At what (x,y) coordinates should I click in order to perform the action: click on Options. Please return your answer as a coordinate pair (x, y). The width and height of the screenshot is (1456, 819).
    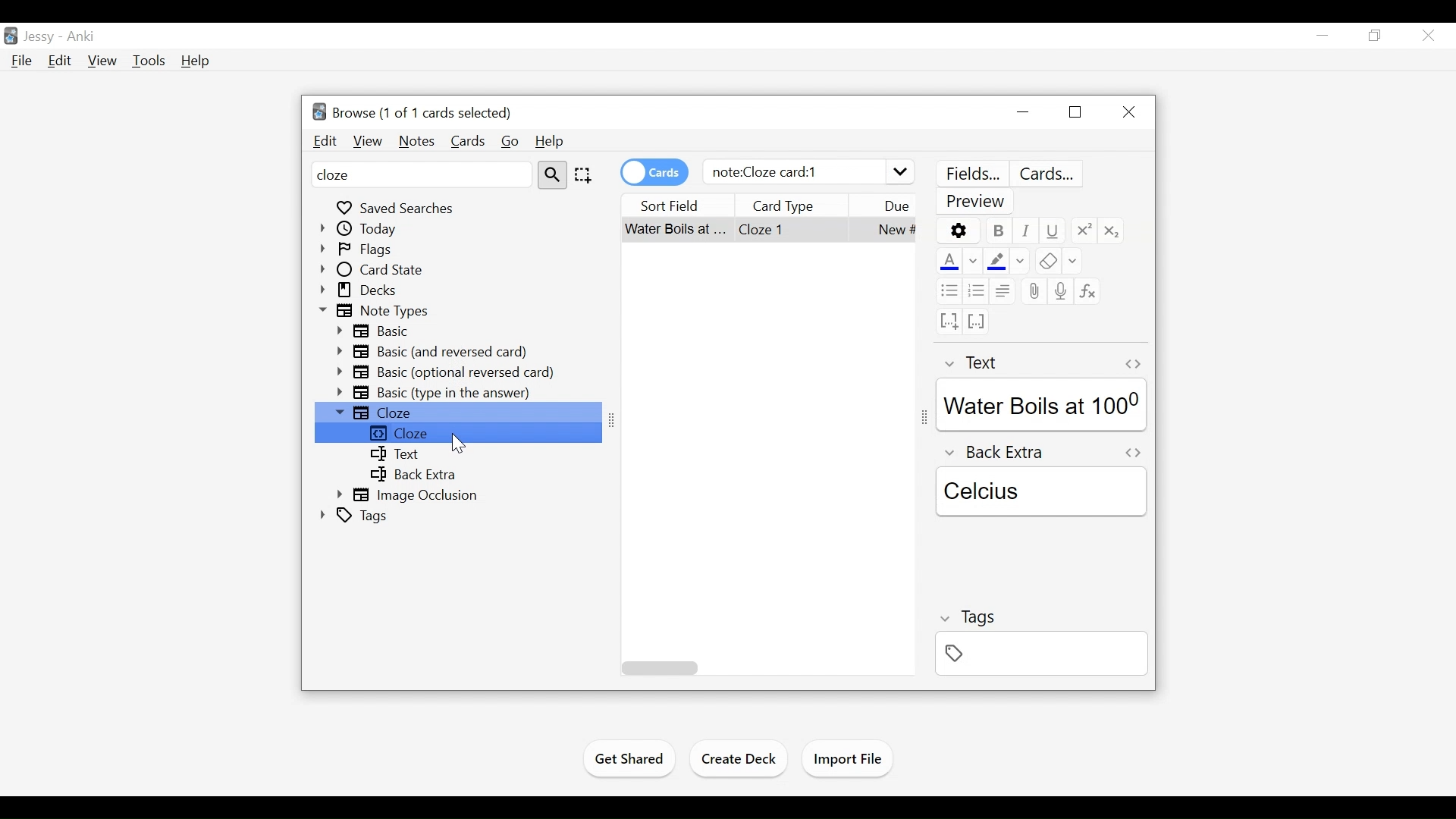
    Looking at the image, I should click on (959, 231).